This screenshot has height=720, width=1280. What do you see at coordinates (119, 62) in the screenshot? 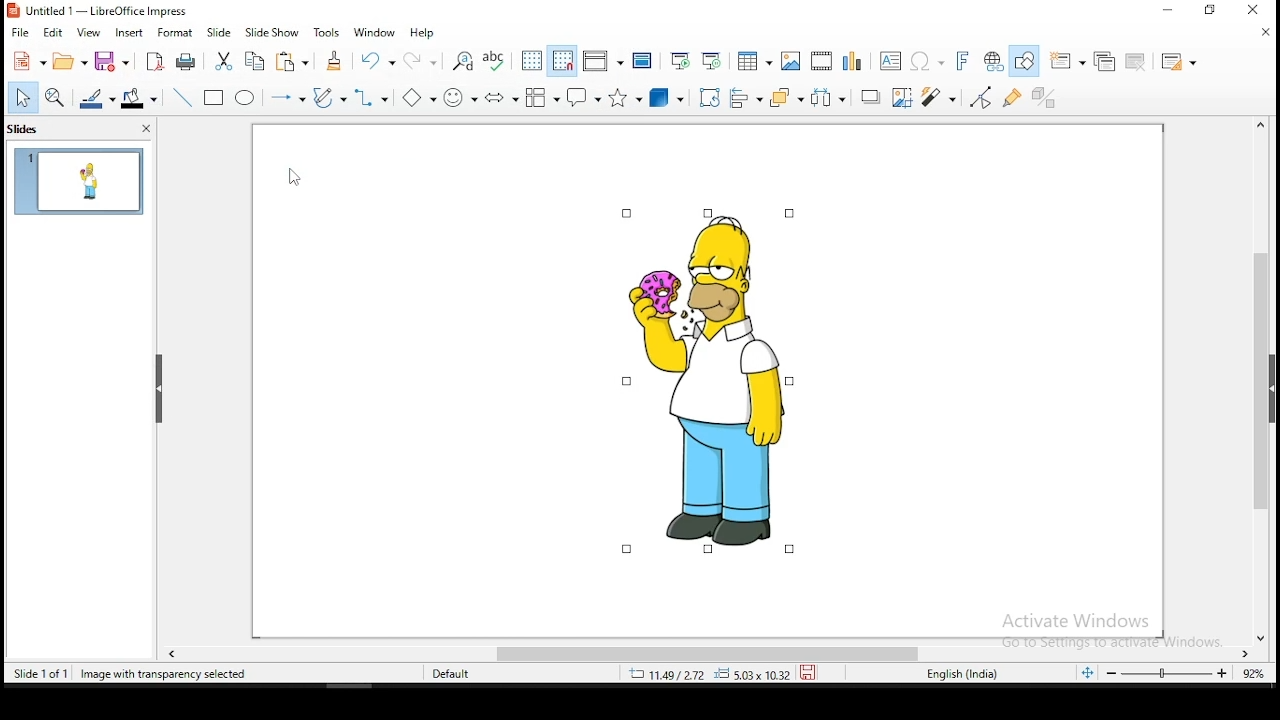
I see `save` at bounding box center [119, 62].